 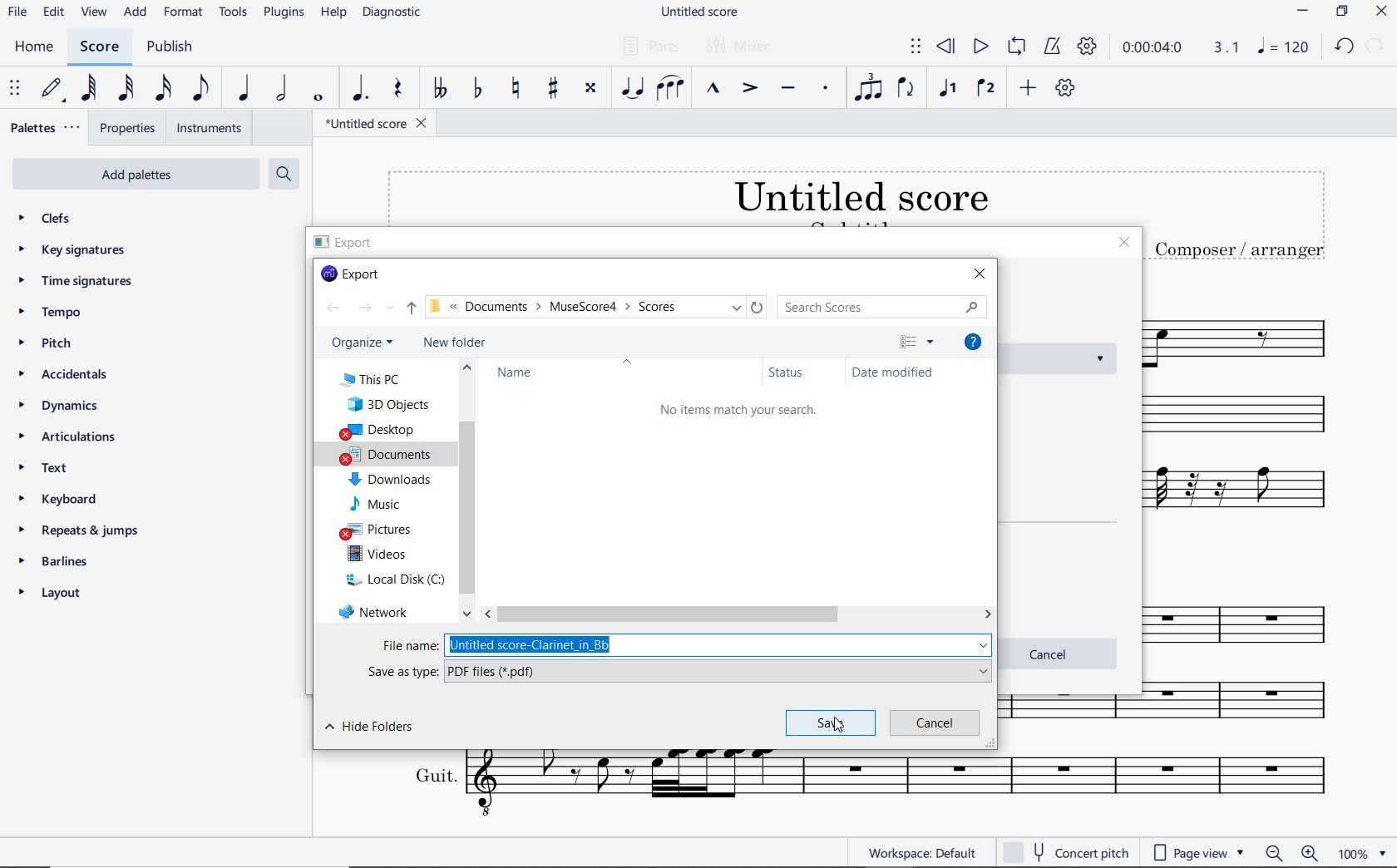 What do you see at coordinates (827, 91) in the screenshot?
I see `STACCATO` at bounding box center [827, 91].